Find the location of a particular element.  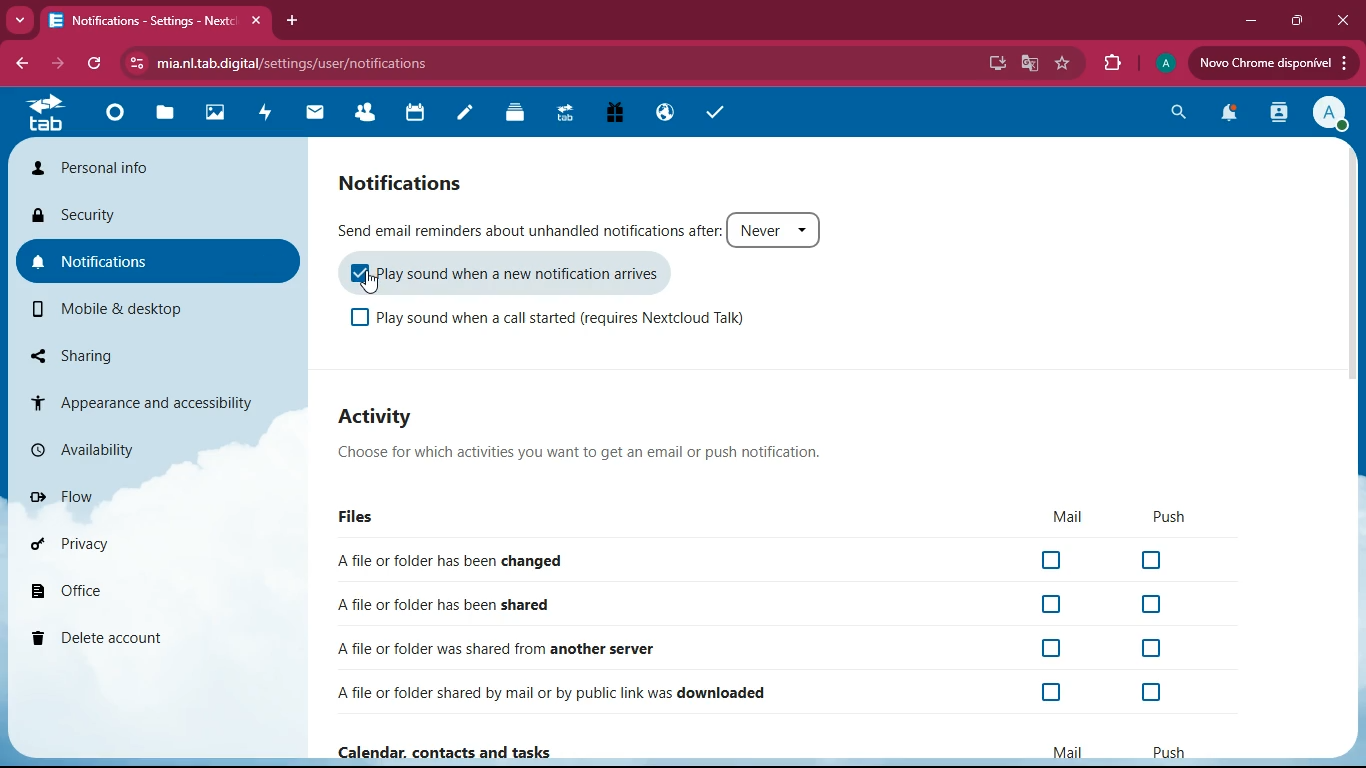

mail is located at coordinates (1068, 517).